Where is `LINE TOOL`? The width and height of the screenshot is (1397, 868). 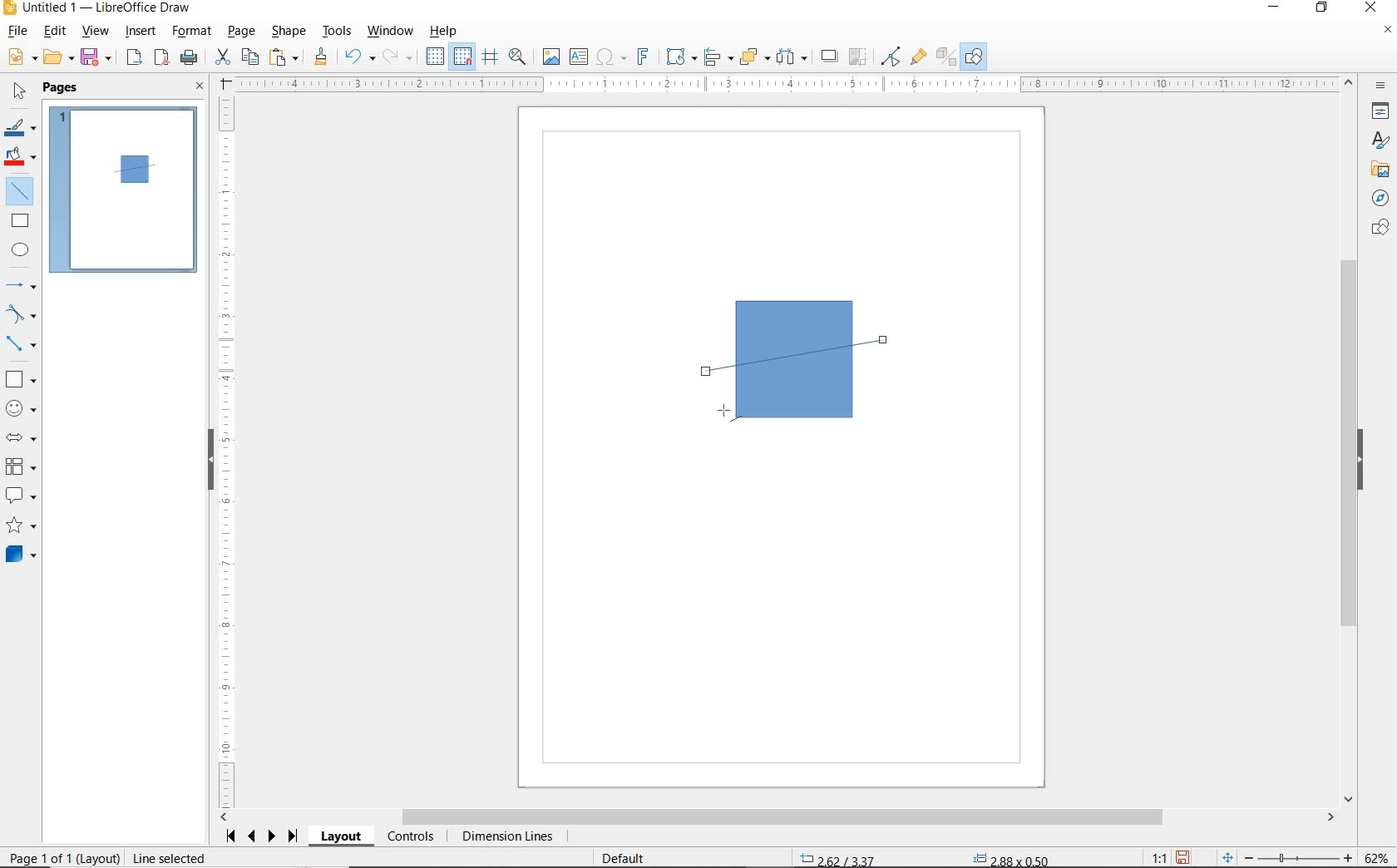 LINE TOOL is located at coordinates (710, 373).